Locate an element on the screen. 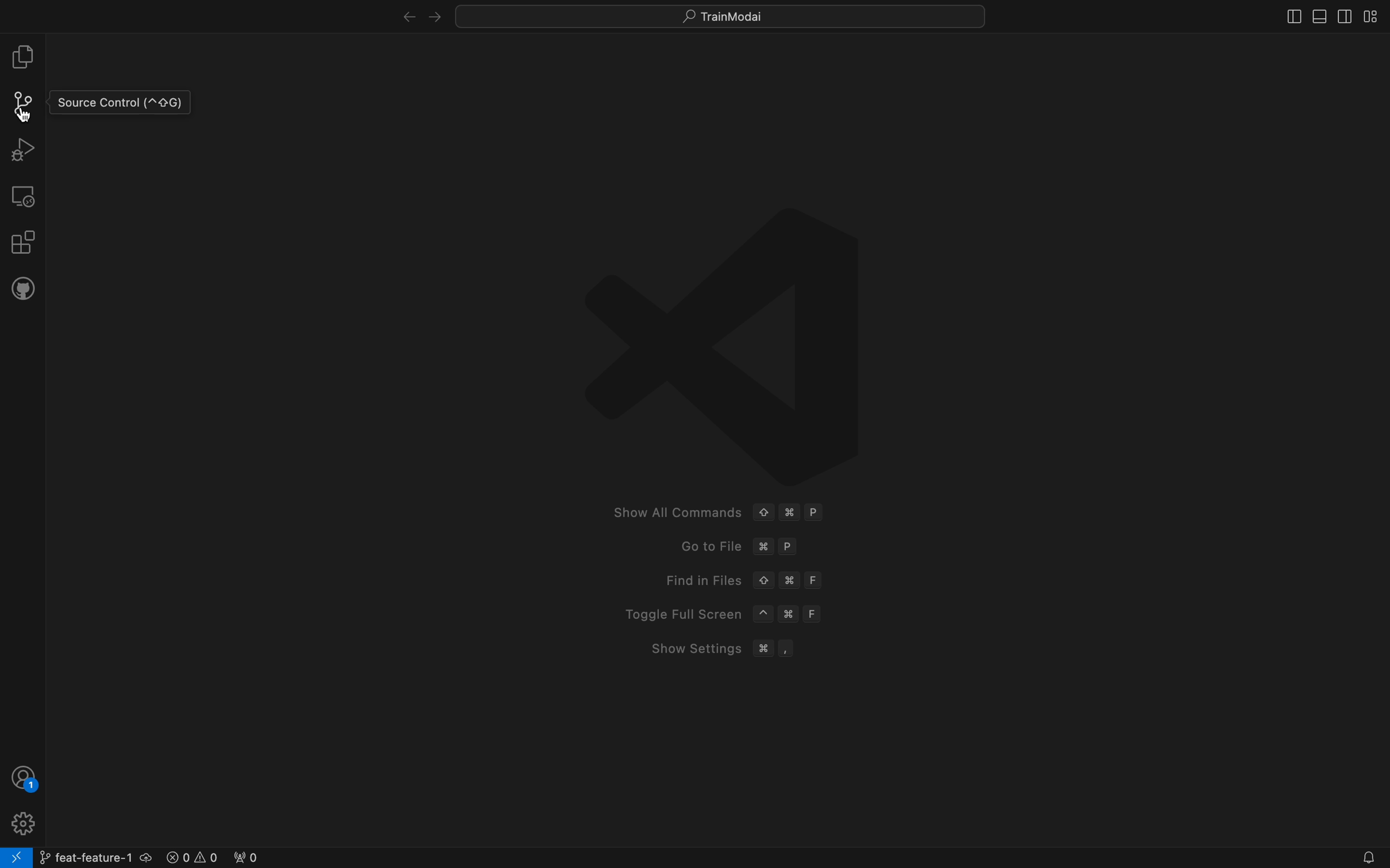 Image resolution: width=1390 pixels, height=868 pixels. command is located at coordinates (763, 548).